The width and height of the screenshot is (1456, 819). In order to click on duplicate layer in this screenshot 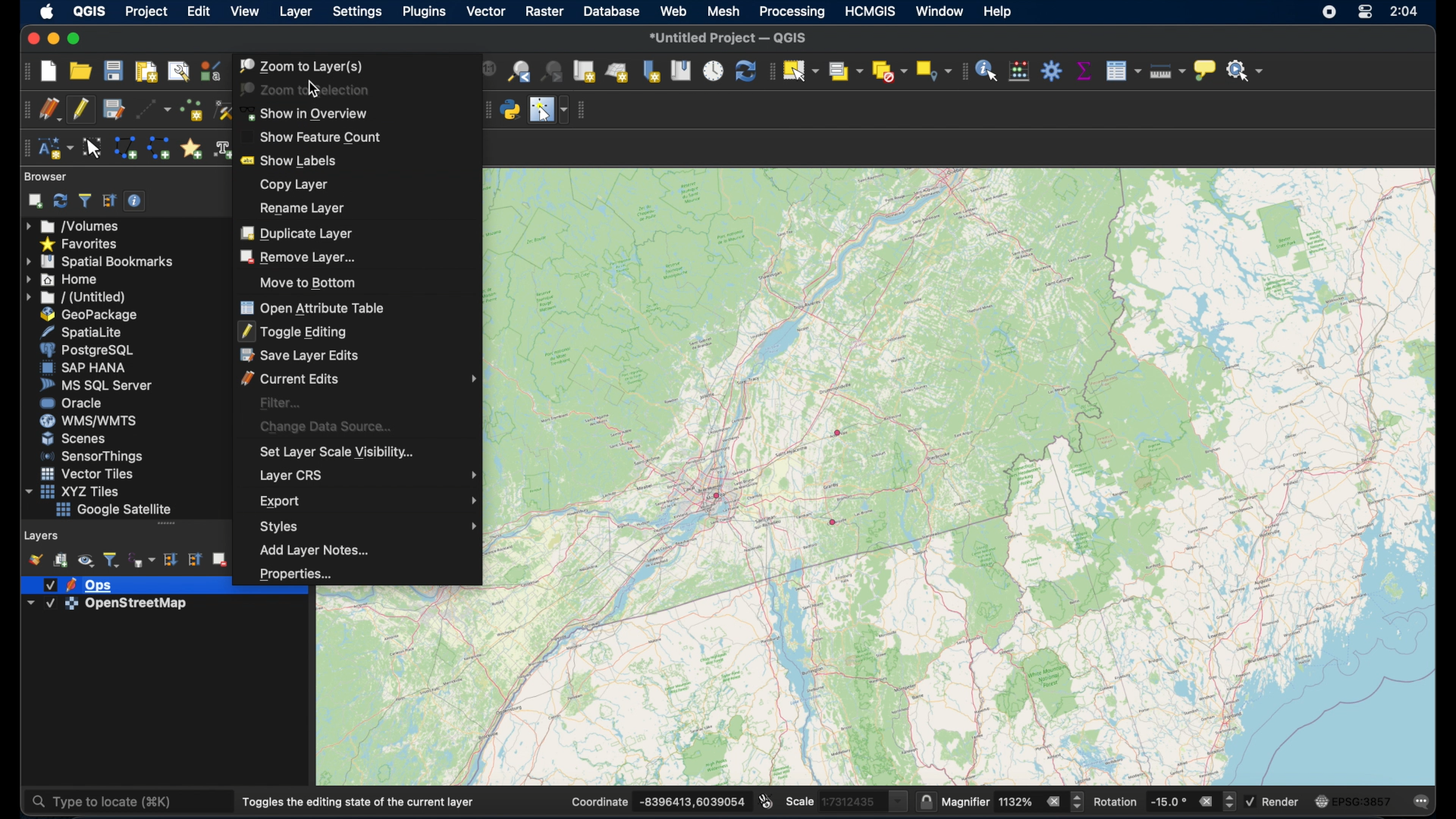, I will do `click(297, 233)`.